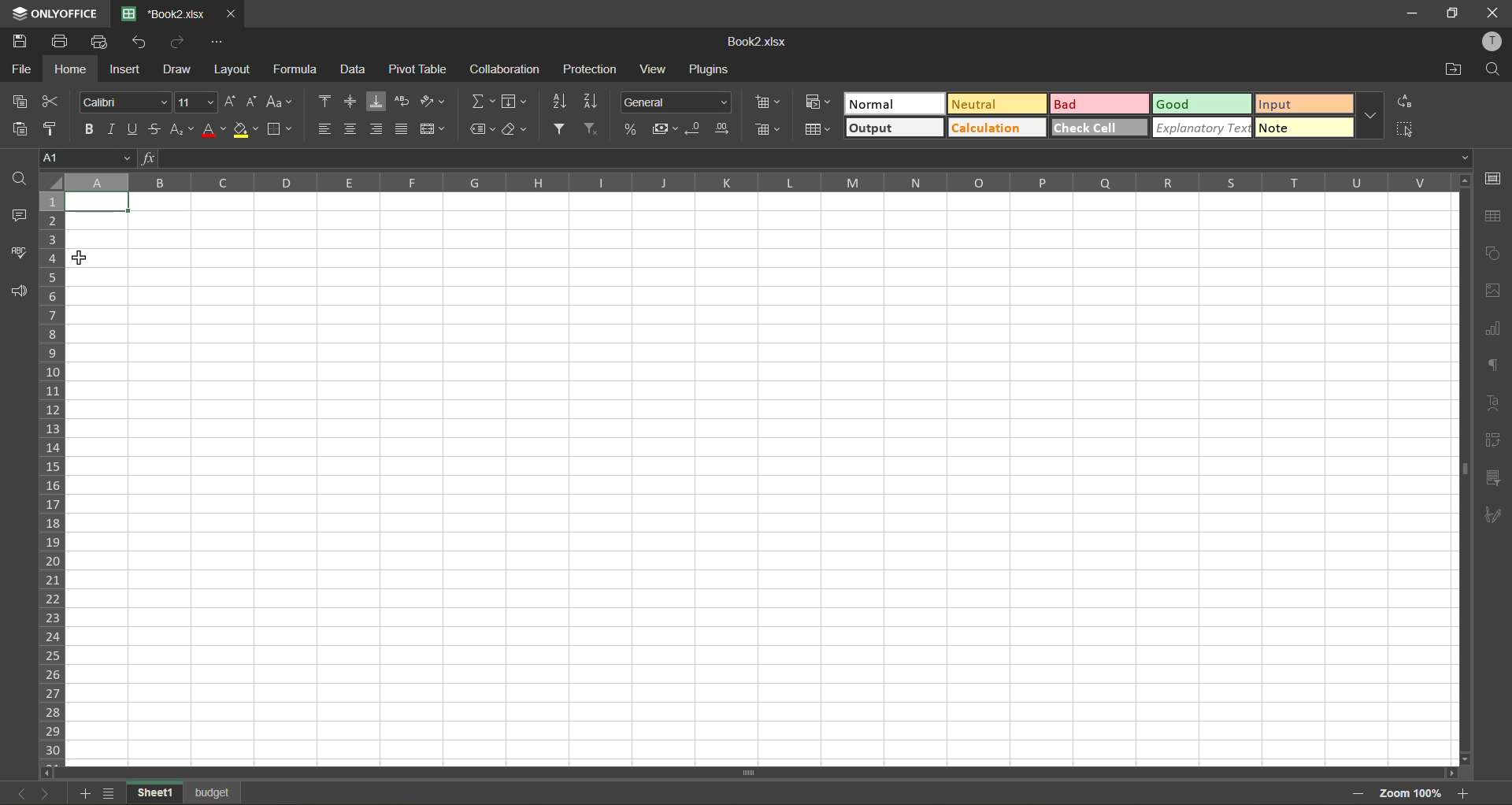 The width and height of the screenshot is (1512, 805). What do you see at coordinates (1404, 102) in the screenshot?
I see `replace` at bounding box center [1404, 102].